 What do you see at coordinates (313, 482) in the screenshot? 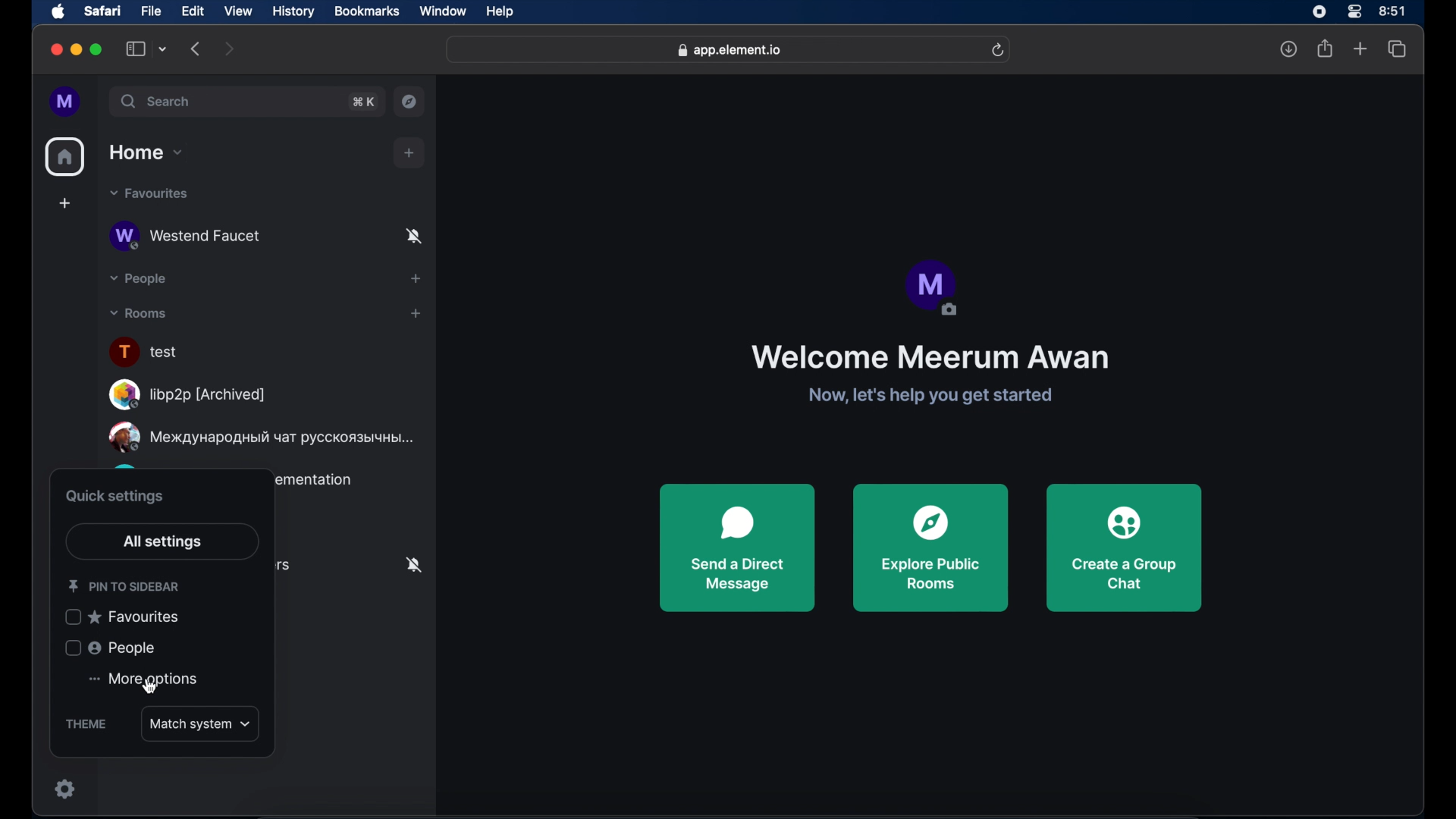
I see `obscure text` at bounding box center [313, 482].